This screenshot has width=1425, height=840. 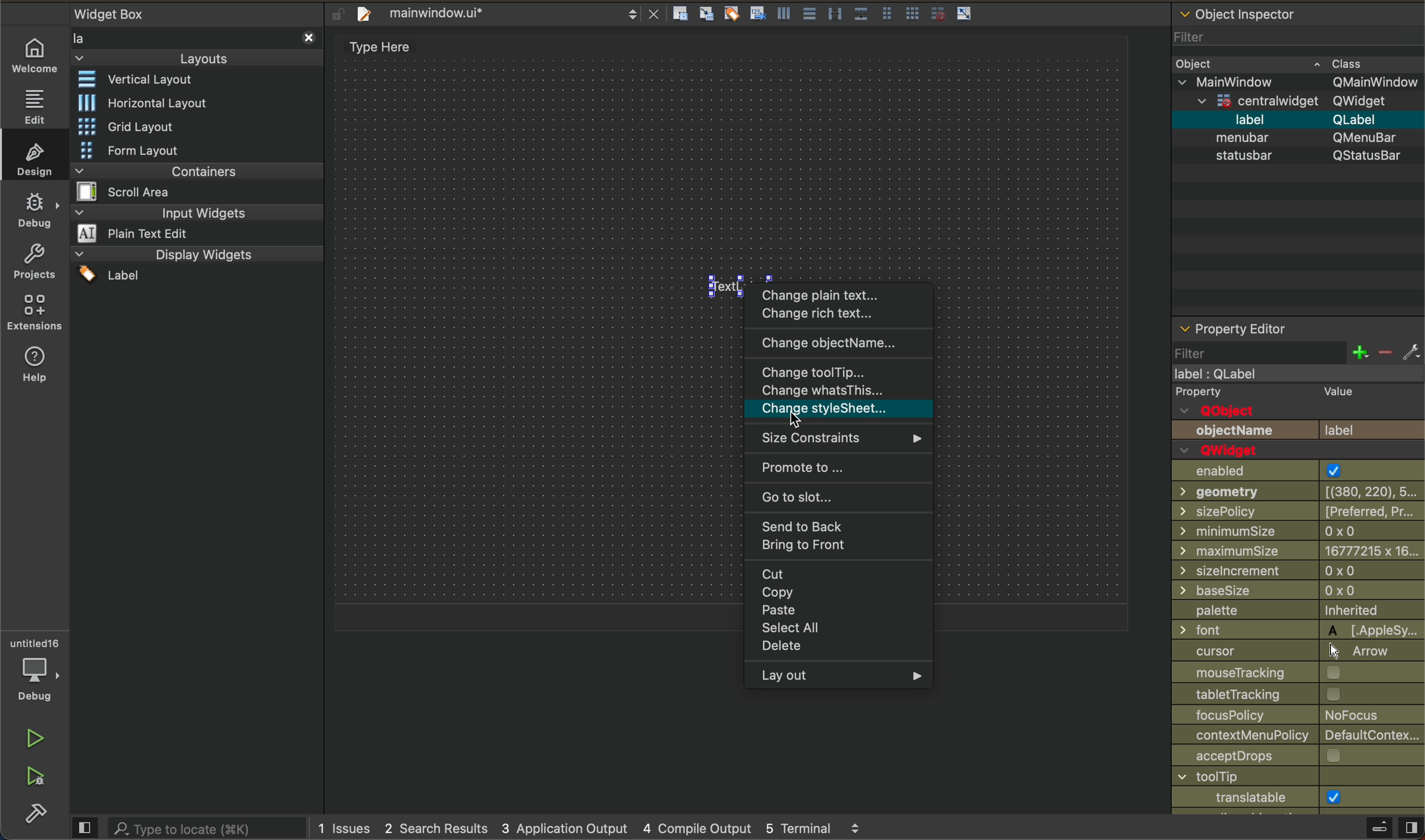 What do you see at coordinates (846, 391) in the screenshot?
I see `` at bounding box center [846, 391].